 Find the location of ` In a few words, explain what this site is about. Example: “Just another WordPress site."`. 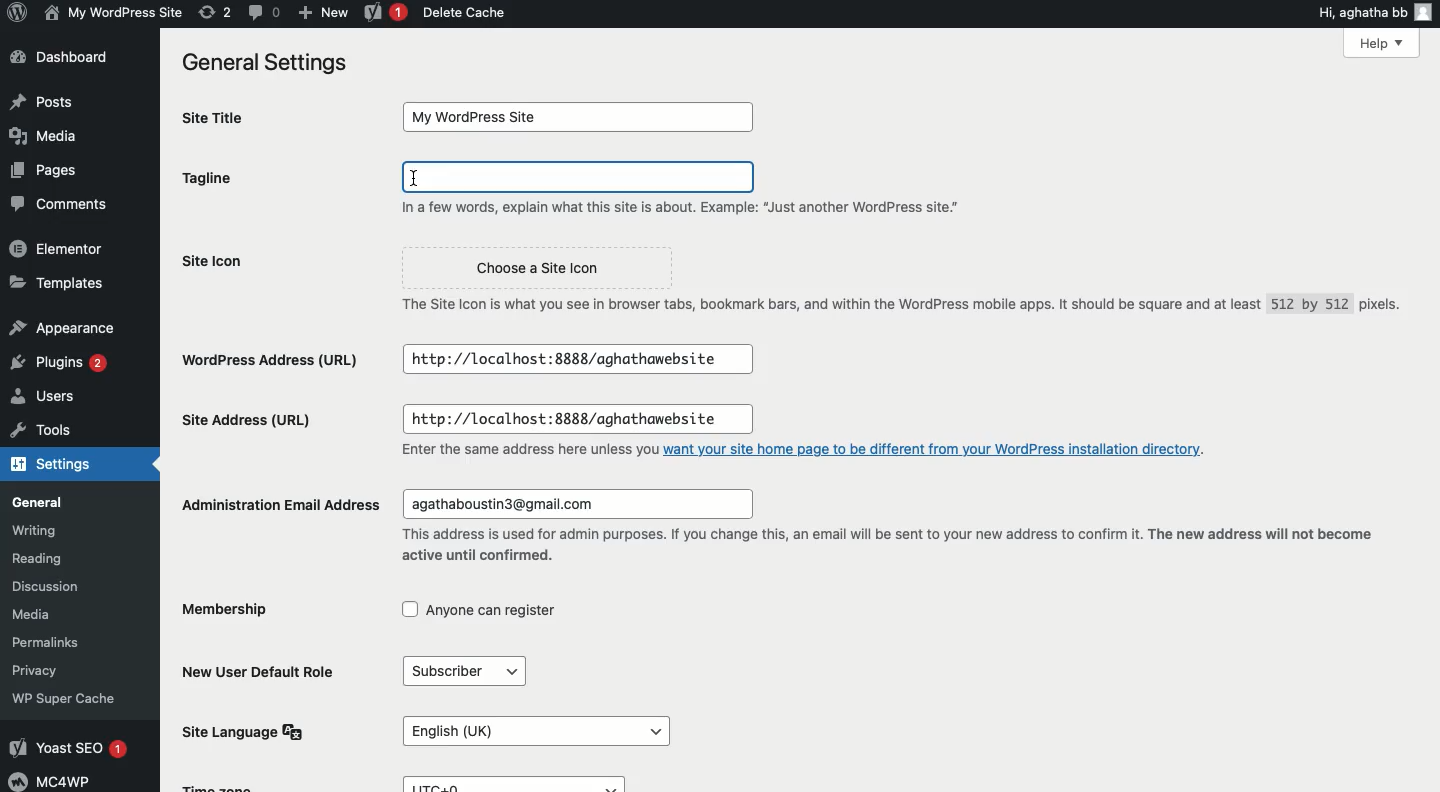

 In a few words, explain what this site is about. Example: “Just another WordPress site." is located at coordinates (702, 210).